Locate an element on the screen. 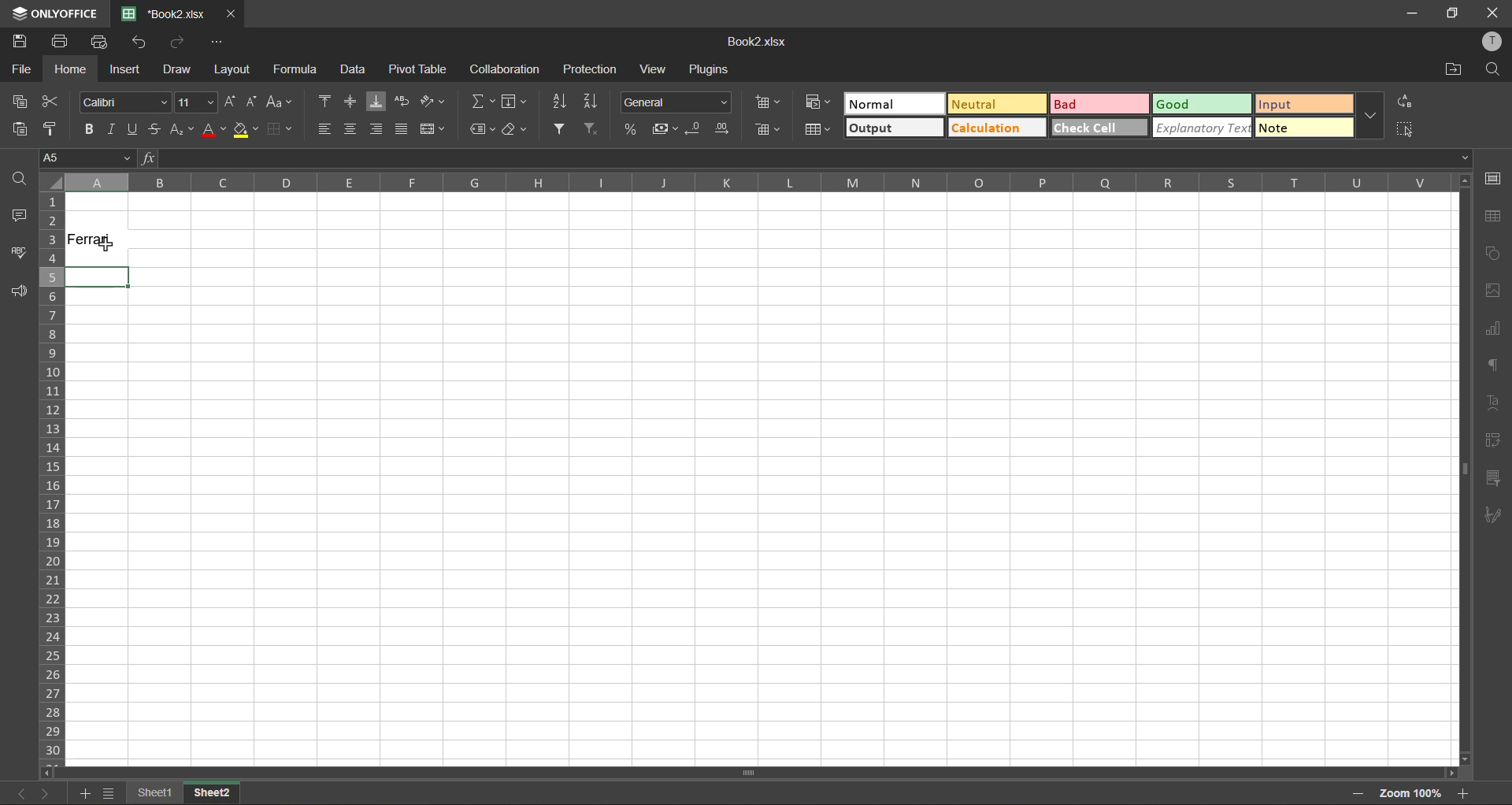 This screenshot has height=805, width=1512. paragraph is located at coordinates (1493, 365).